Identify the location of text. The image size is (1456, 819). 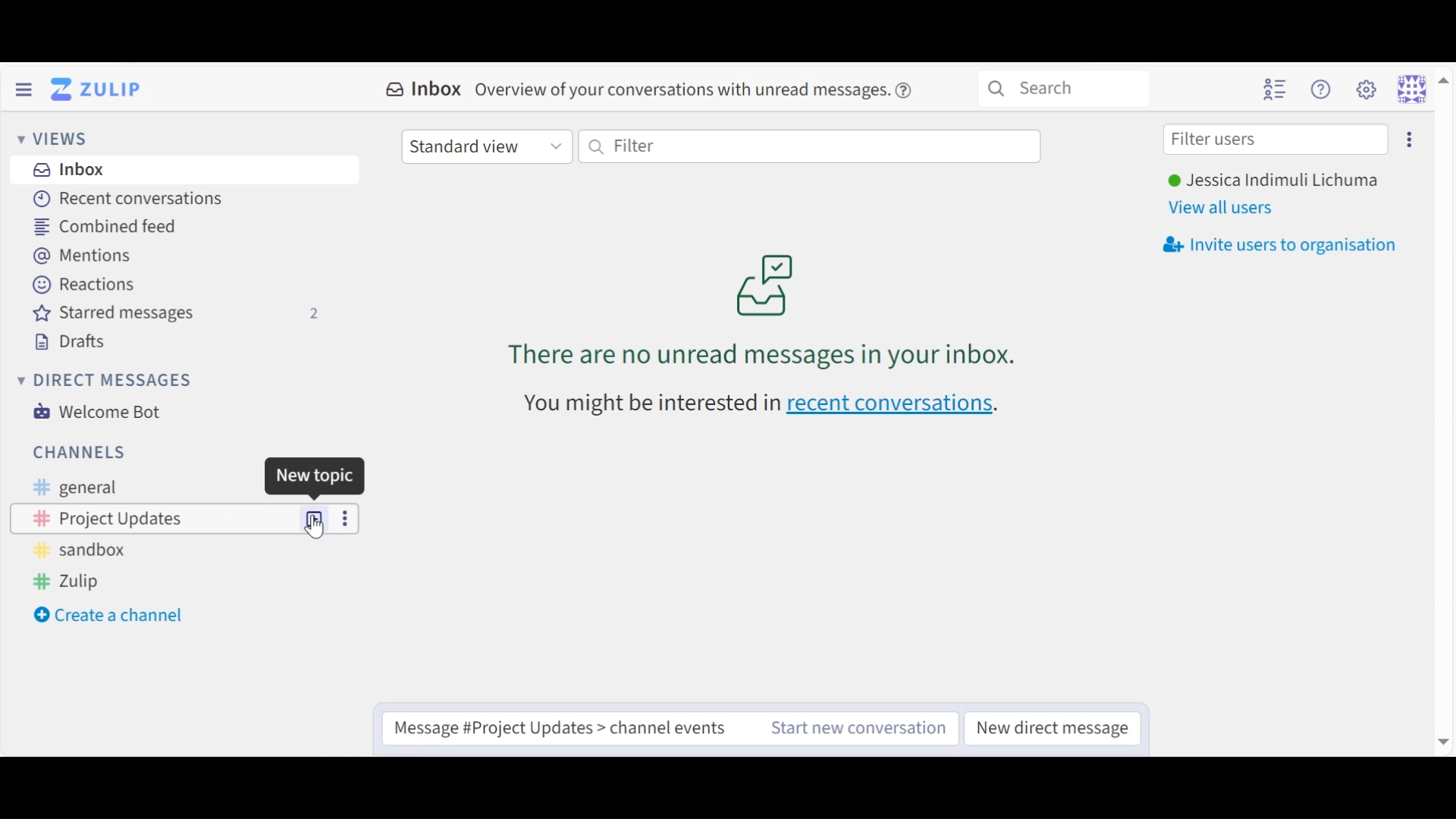
(649, 404).